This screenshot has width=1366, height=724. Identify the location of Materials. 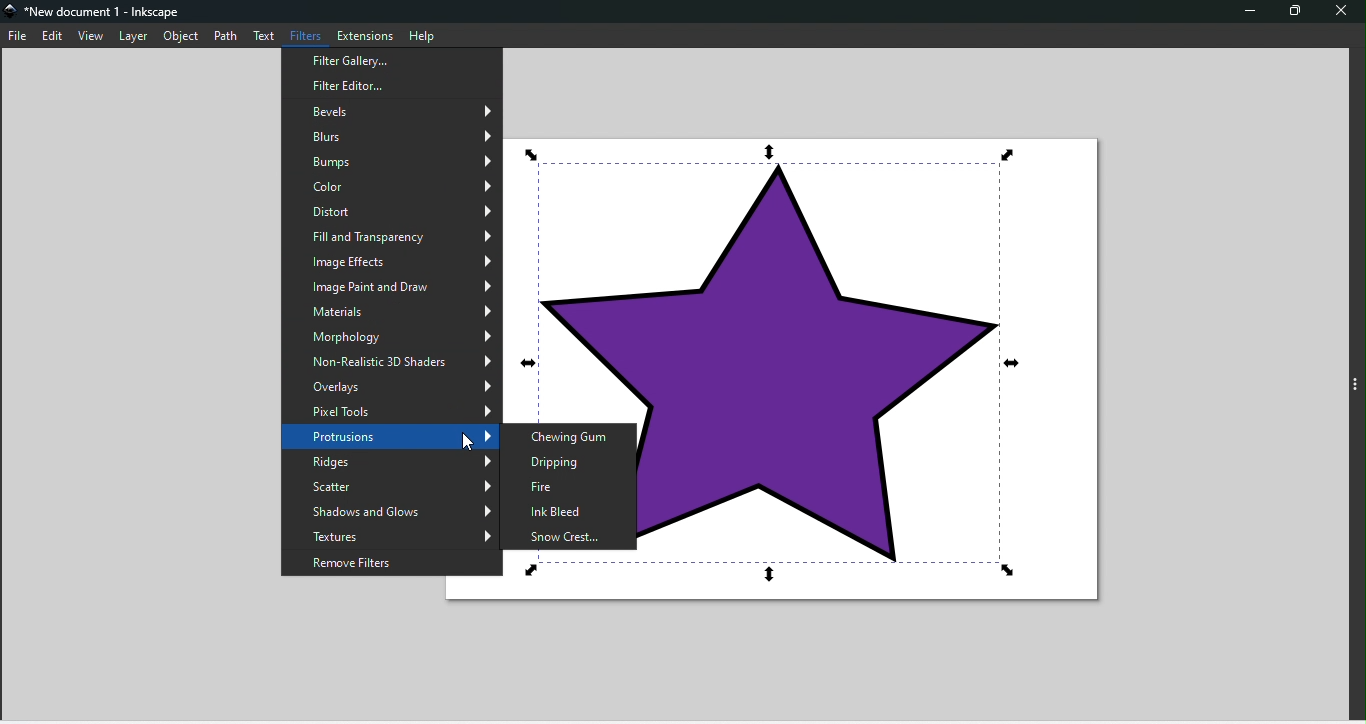
(392, 309).